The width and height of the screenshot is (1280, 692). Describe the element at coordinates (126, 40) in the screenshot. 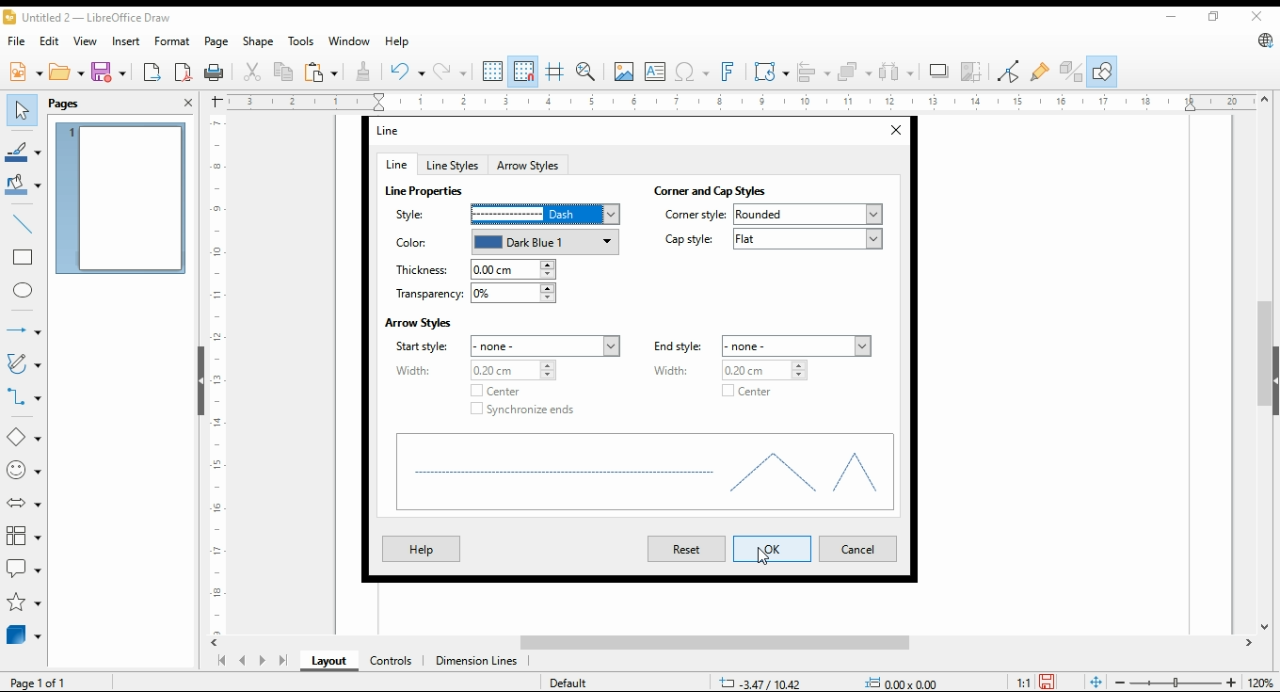

I see `insert` at that location.